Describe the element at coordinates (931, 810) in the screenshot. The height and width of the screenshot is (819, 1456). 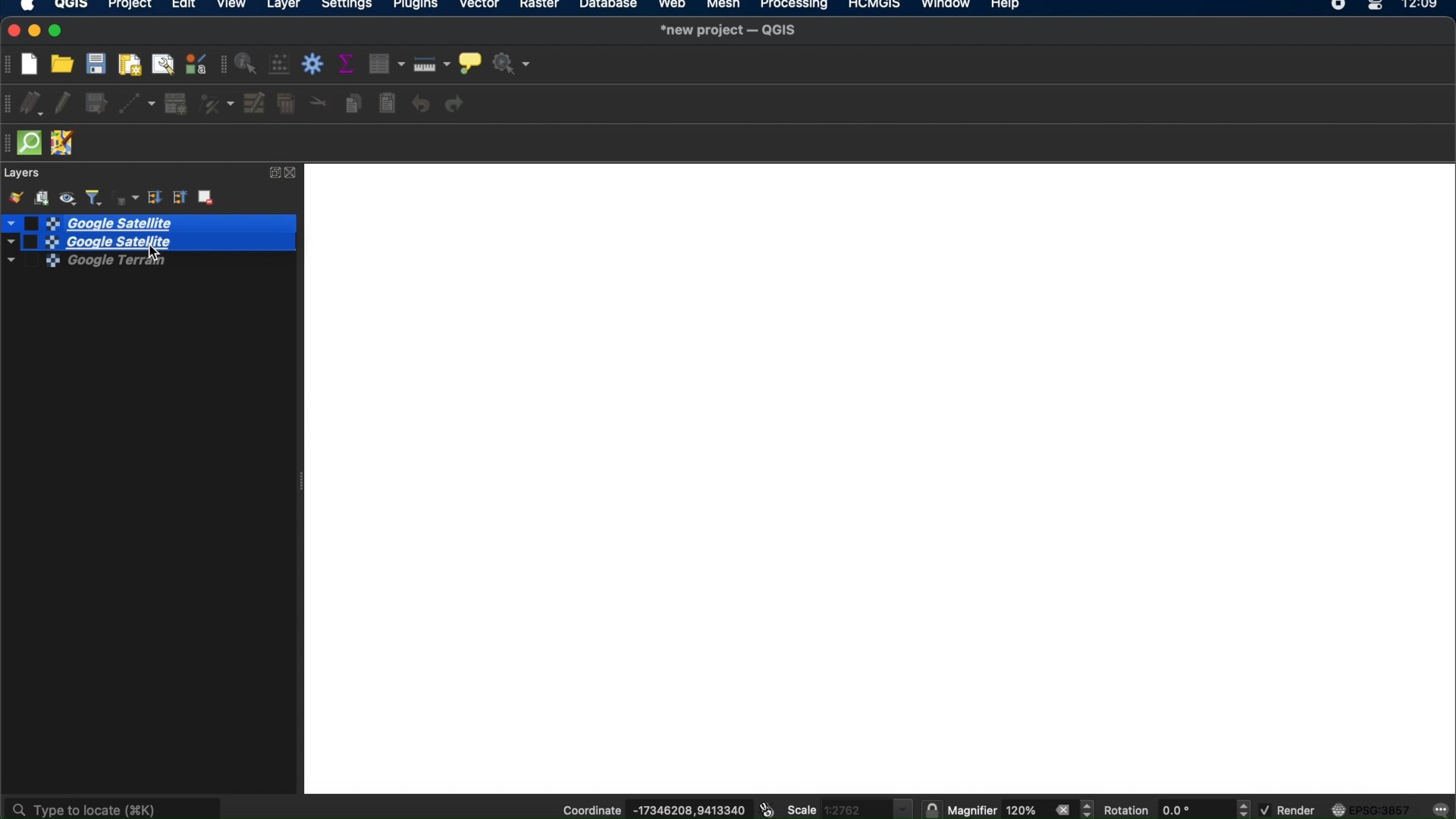
I see `lock scale` at that location.